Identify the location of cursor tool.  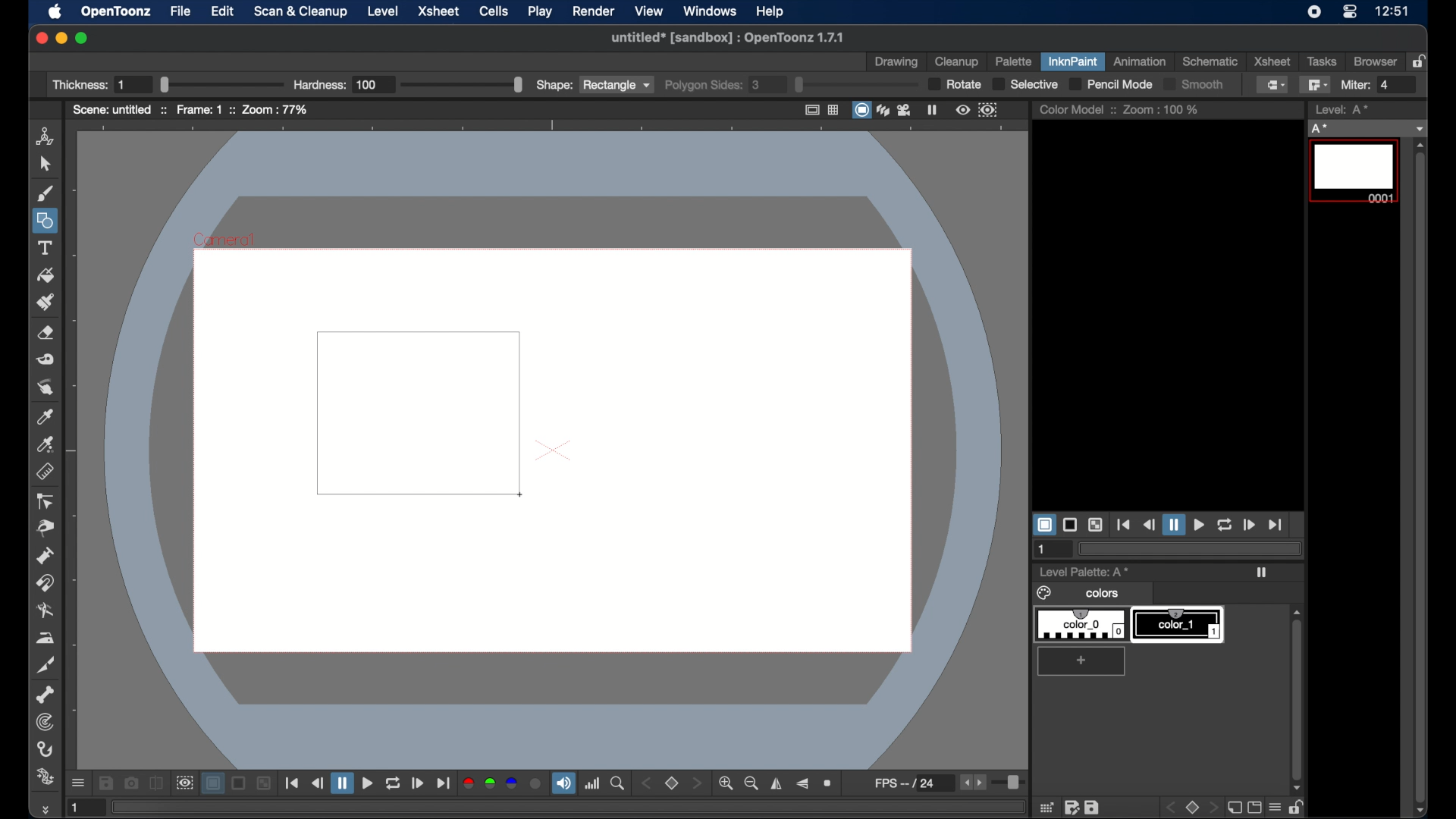
(45, 164).